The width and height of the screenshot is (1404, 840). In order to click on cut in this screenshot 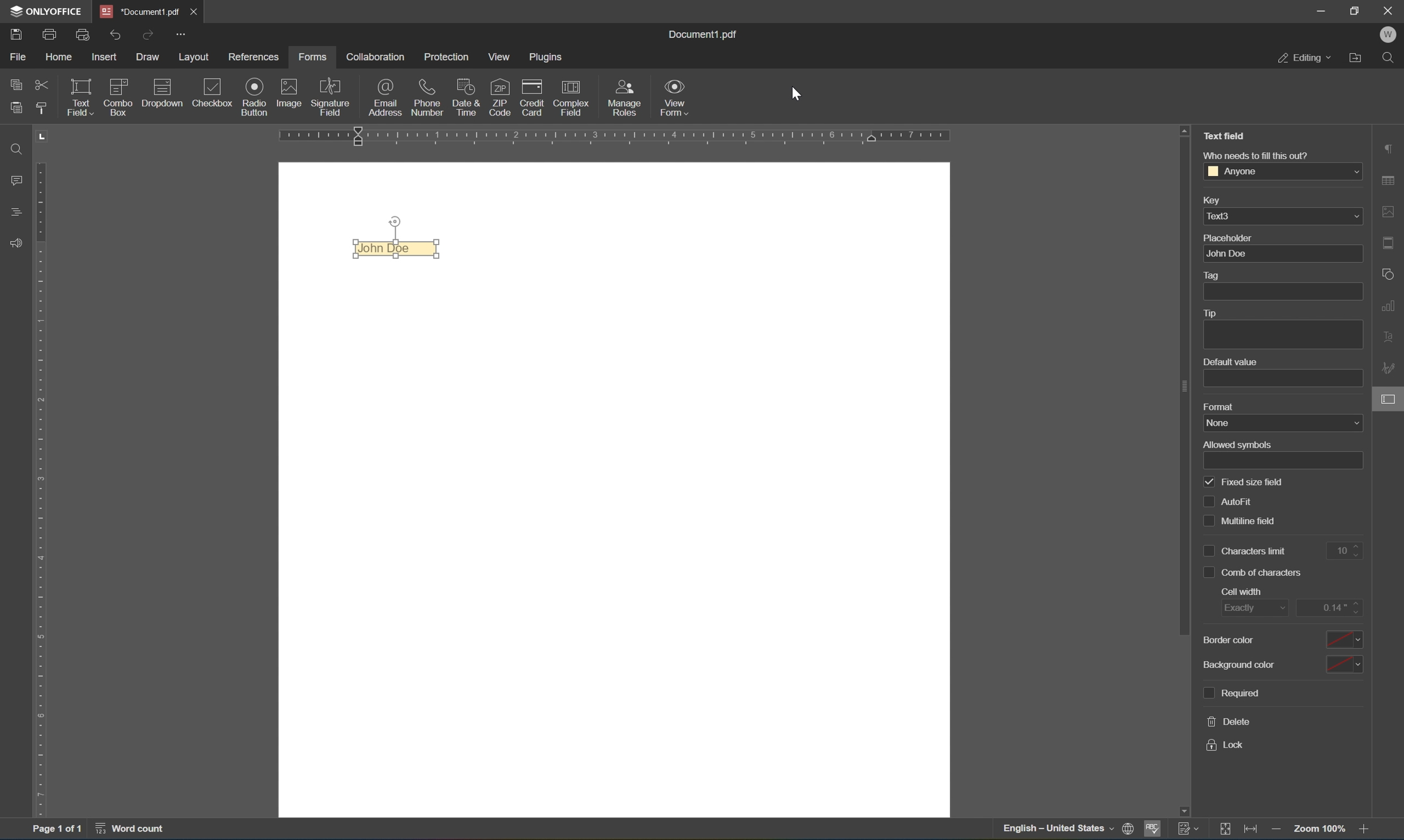, I will do `click(43, 84)`.